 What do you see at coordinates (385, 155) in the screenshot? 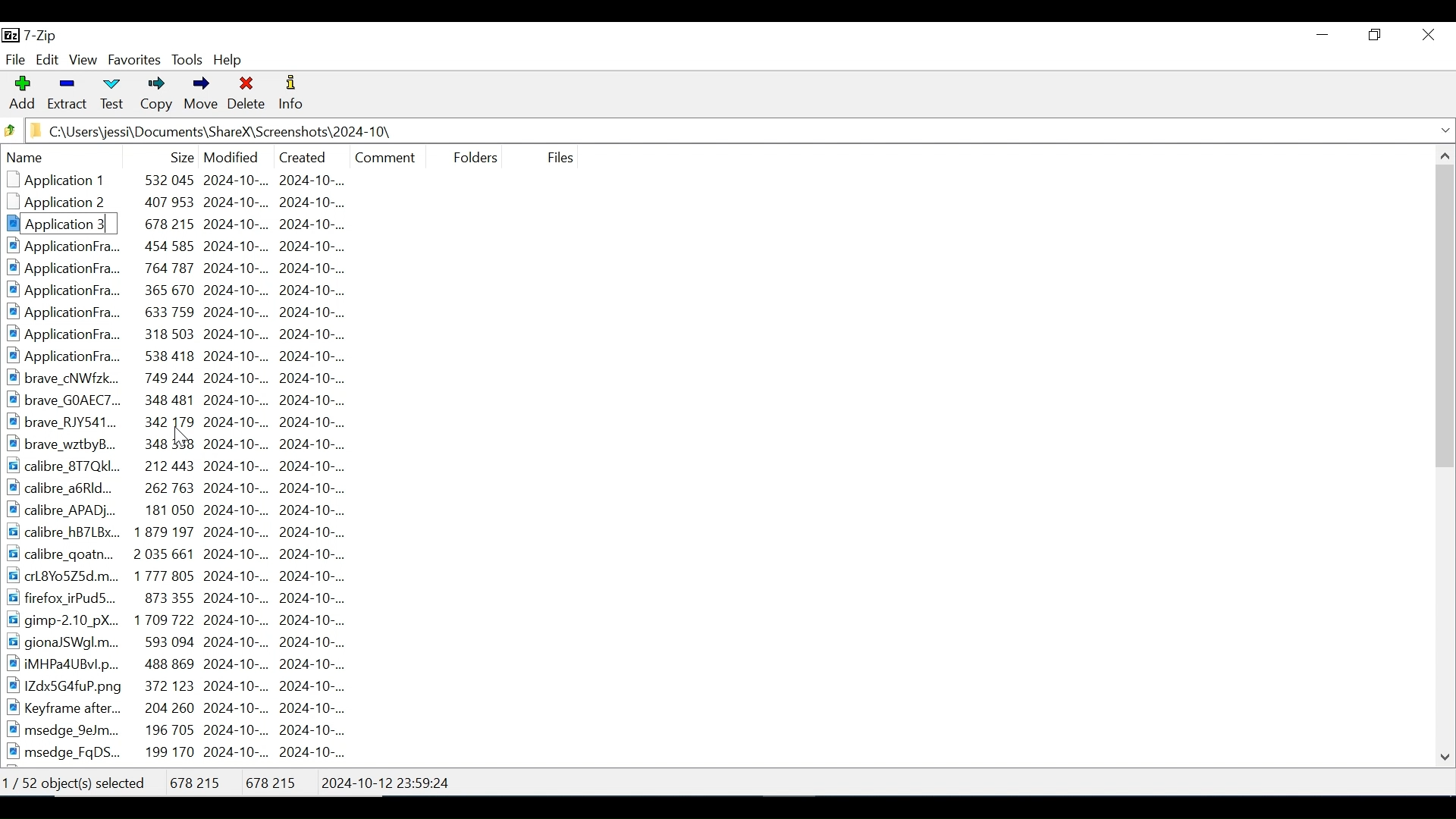
I see `Comment` at bounding box center [385, 155].